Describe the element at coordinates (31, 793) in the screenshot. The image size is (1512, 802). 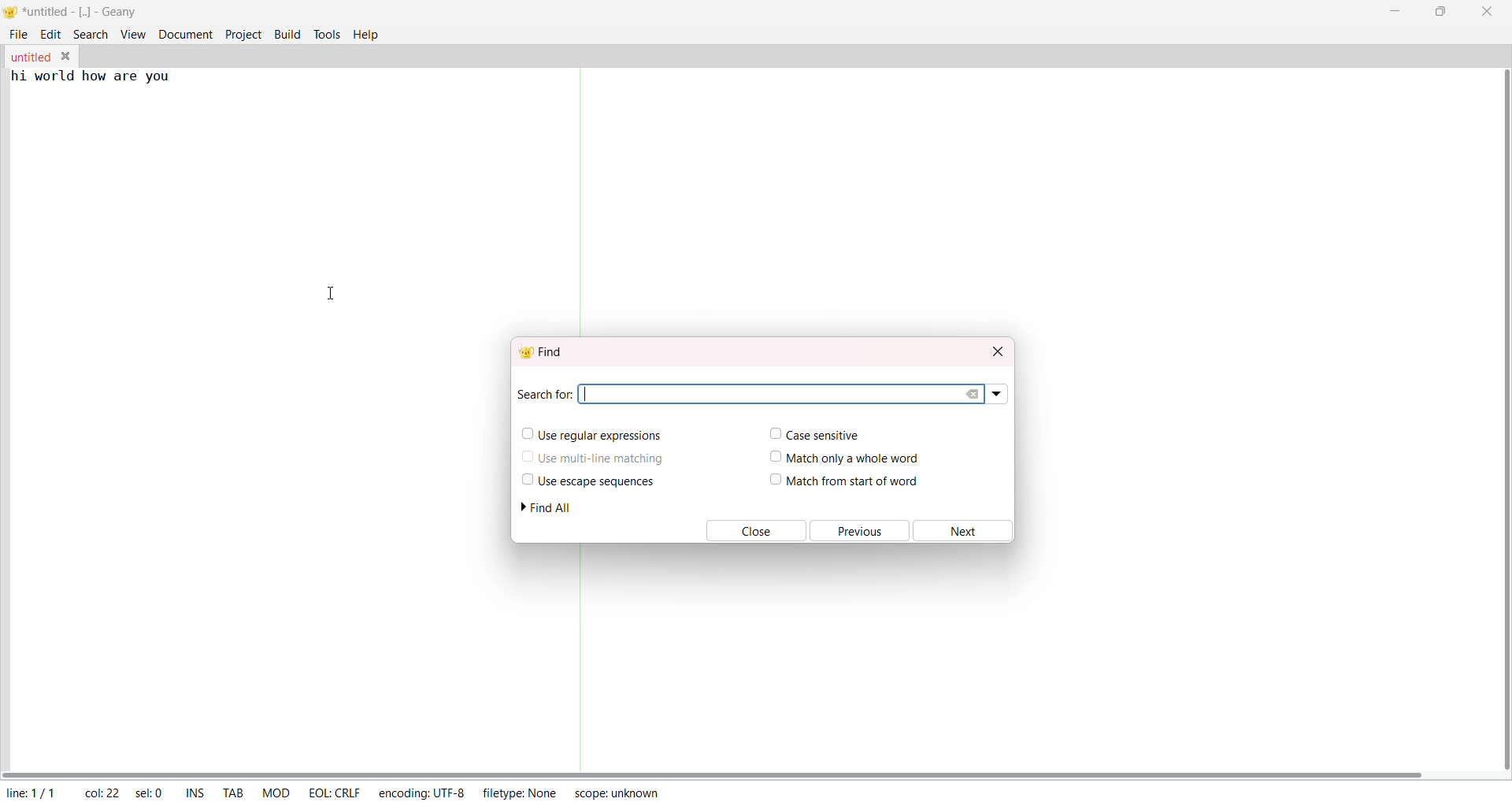
I see `line: 1/1` at that location.